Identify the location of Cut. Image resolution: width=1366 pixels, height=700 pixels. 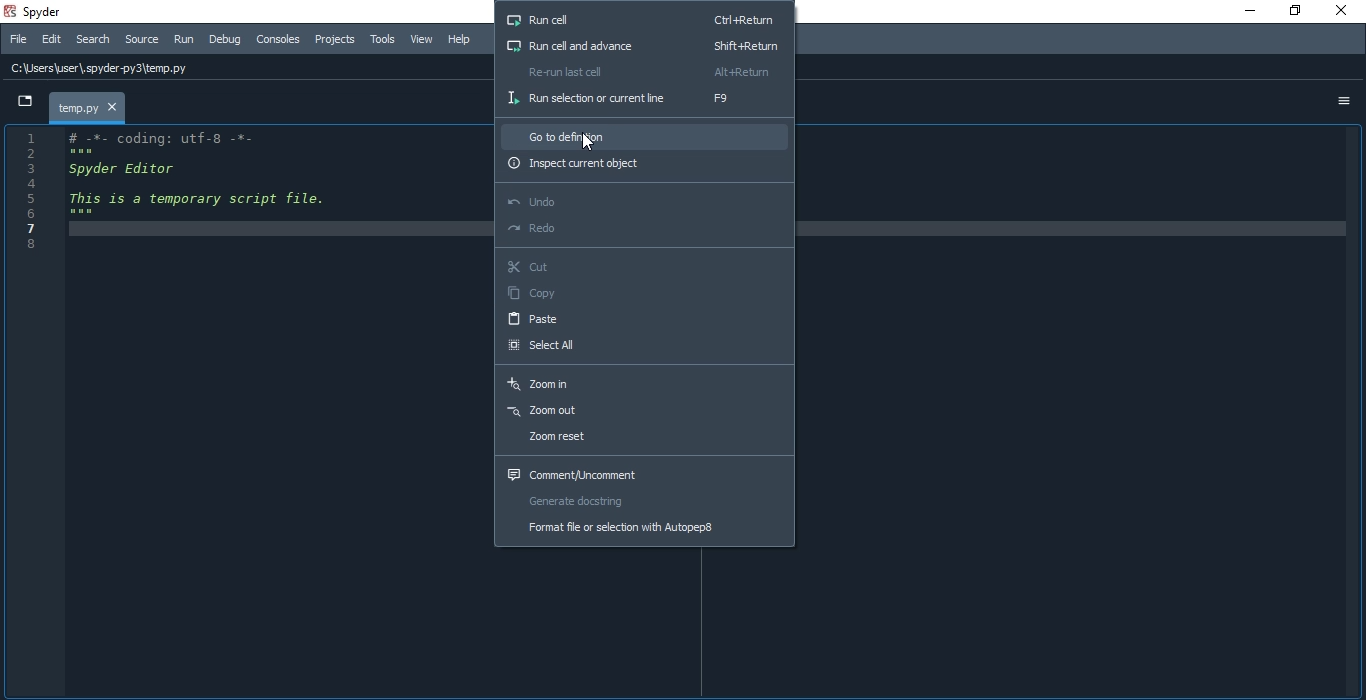
(643, 269).